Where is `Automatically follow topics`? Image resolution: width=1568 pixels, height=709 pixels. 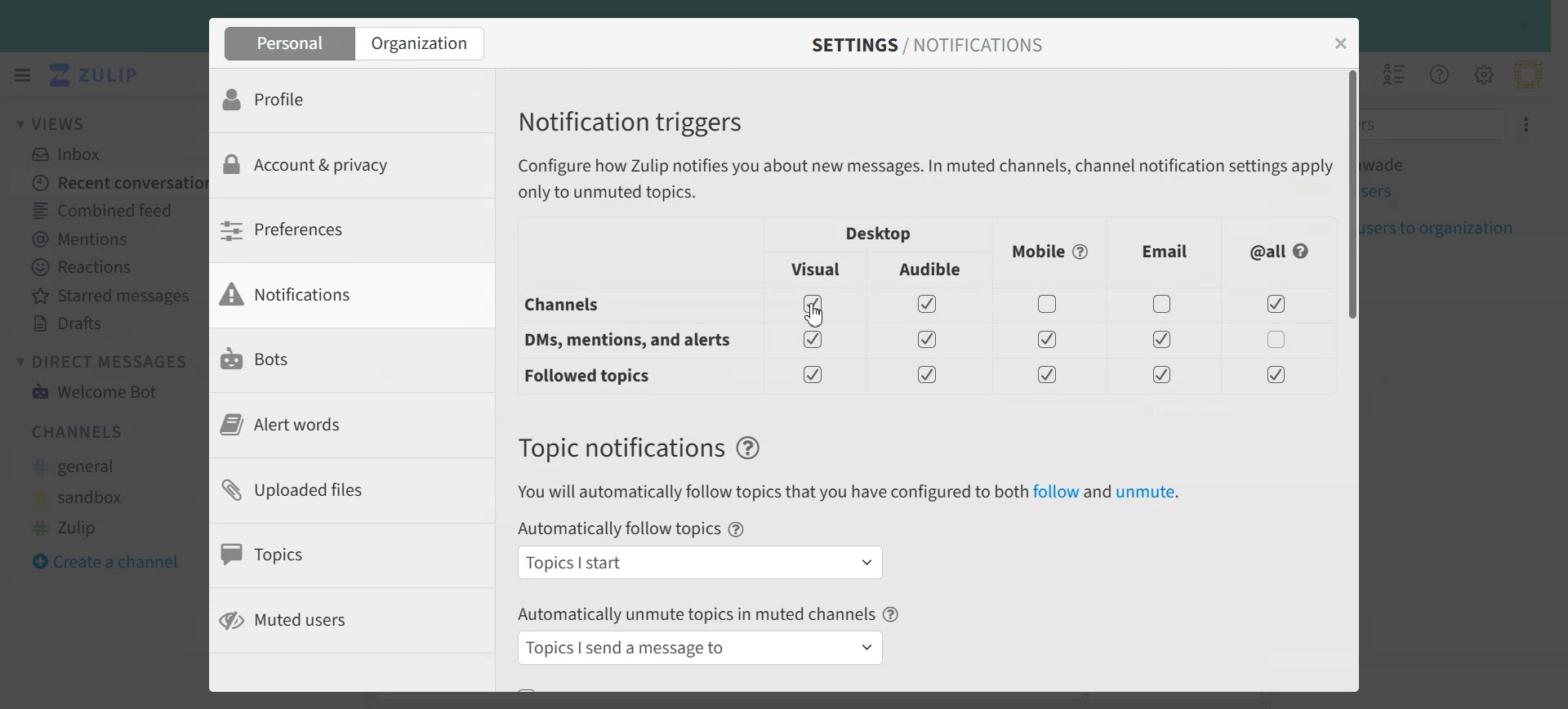 Automatically follow topics is located at coordinates (617, 529).